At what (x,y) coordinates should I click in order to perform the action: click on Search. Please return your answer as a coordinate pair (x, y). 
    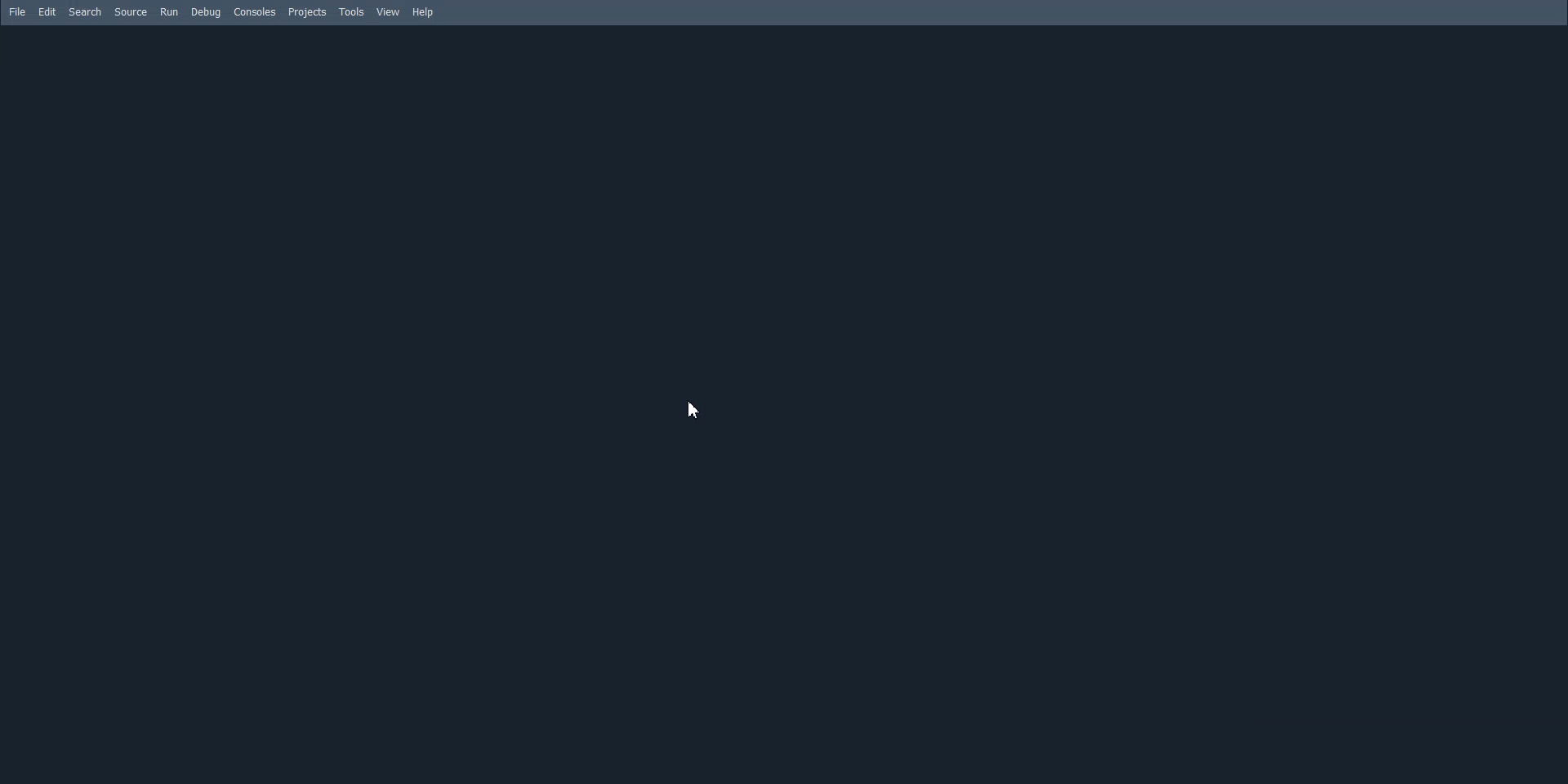
    Looking at the image, I should click on (85, 11).